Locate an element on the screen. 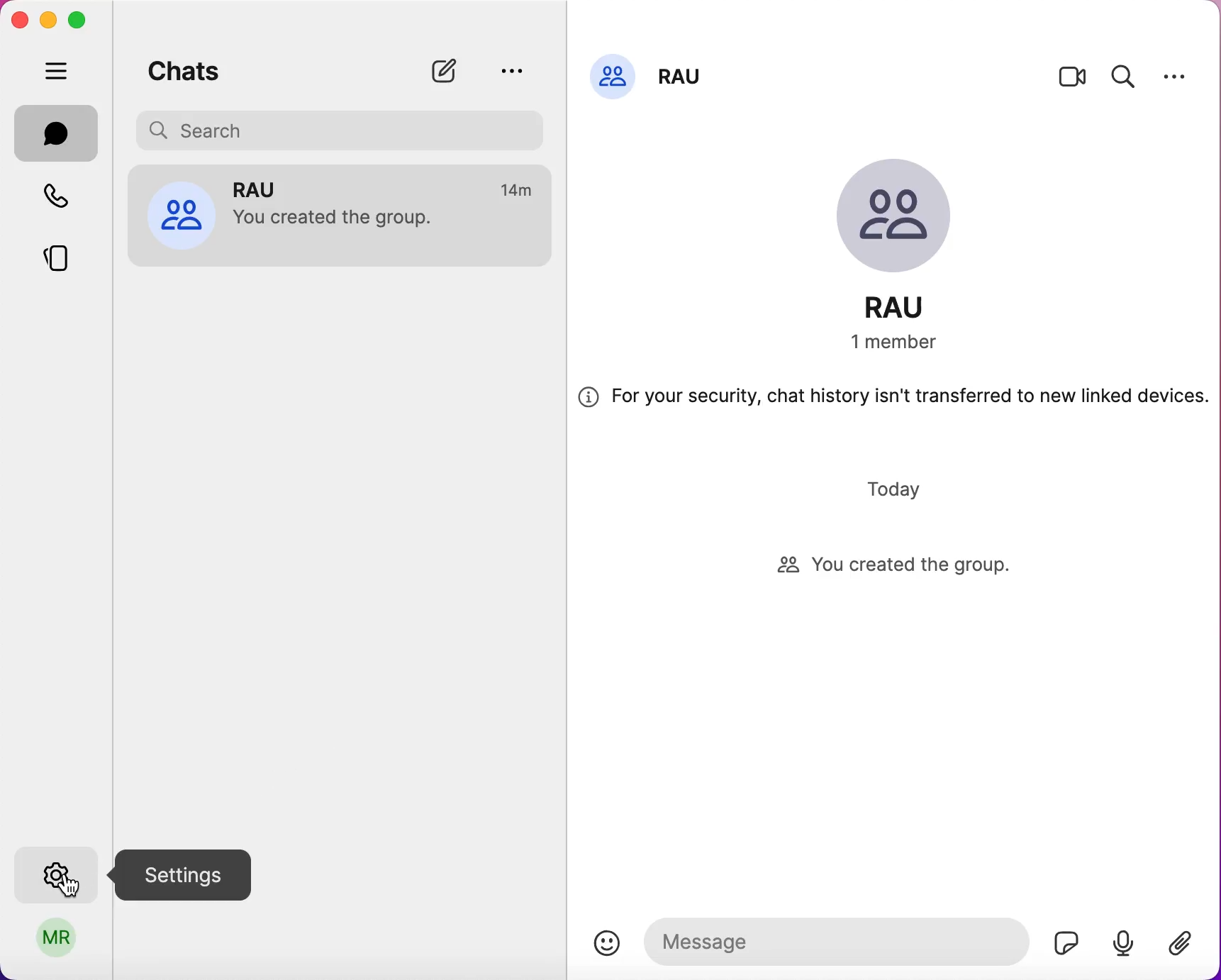 The image size is (1221, 980). search is located at coordinates (340, 130).